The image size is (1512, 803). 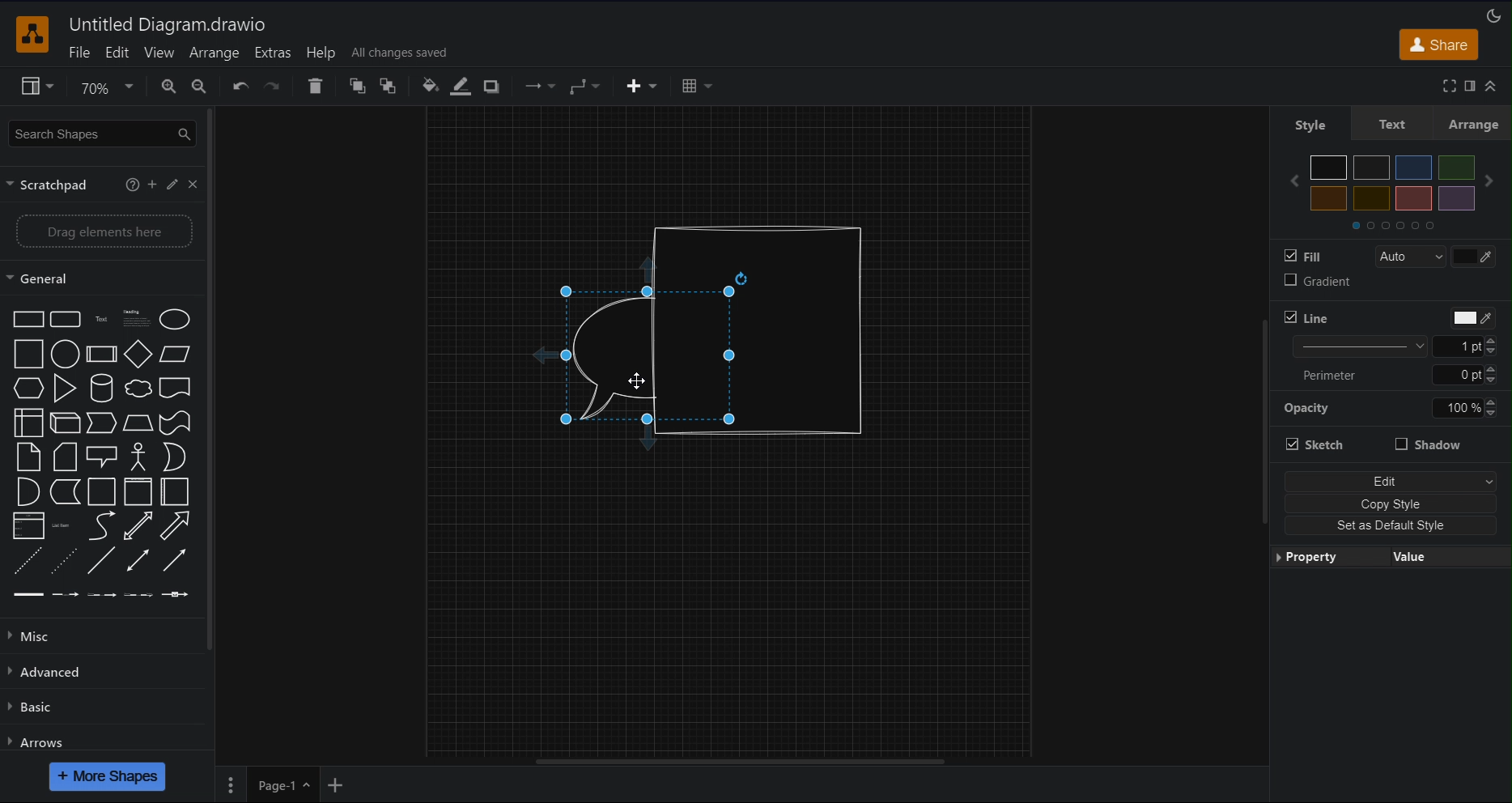 I want to click on Add New Page, so click(x=336, y=785).